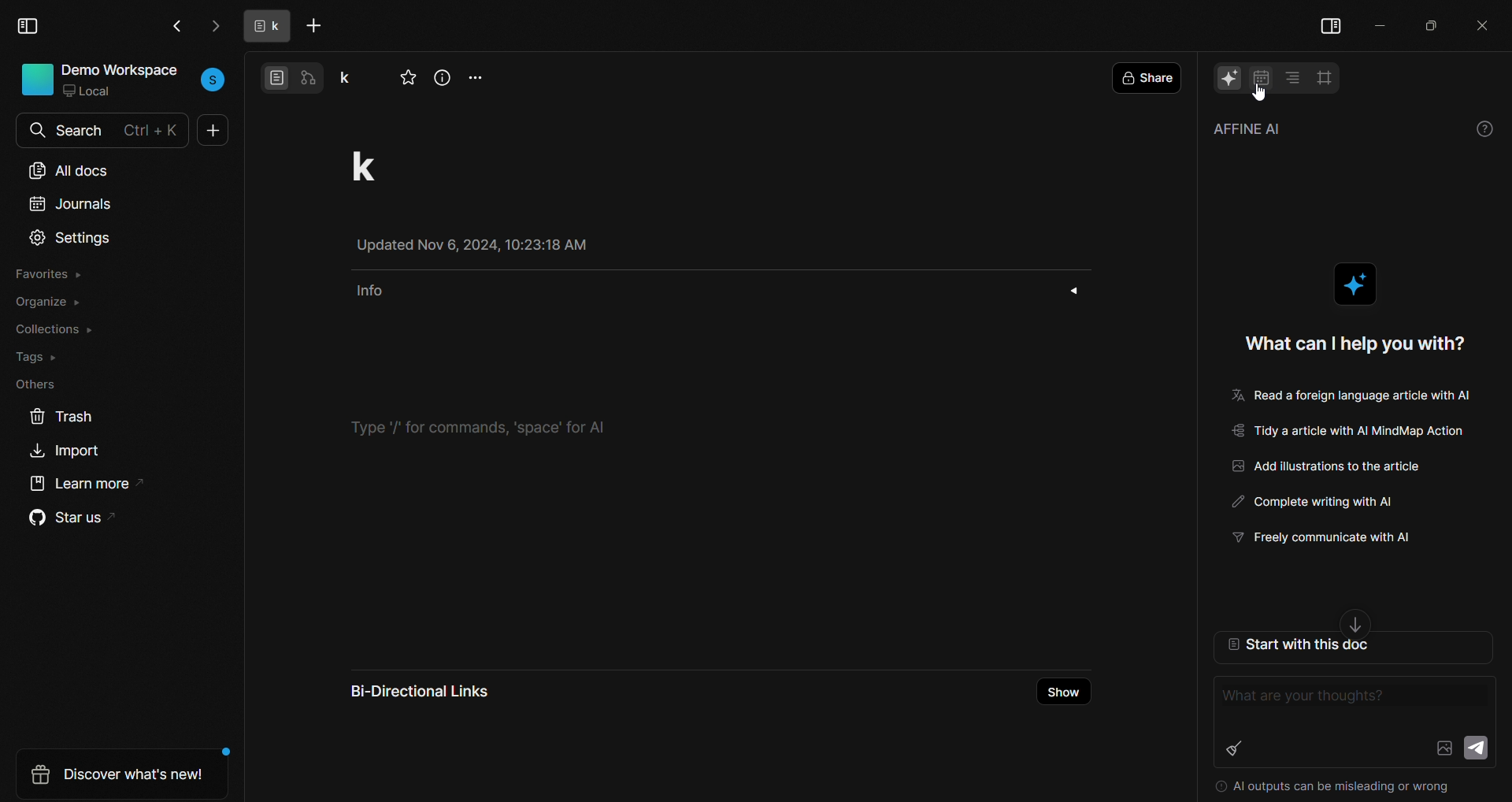  I want to click on demo workspace, so click(122, 70).